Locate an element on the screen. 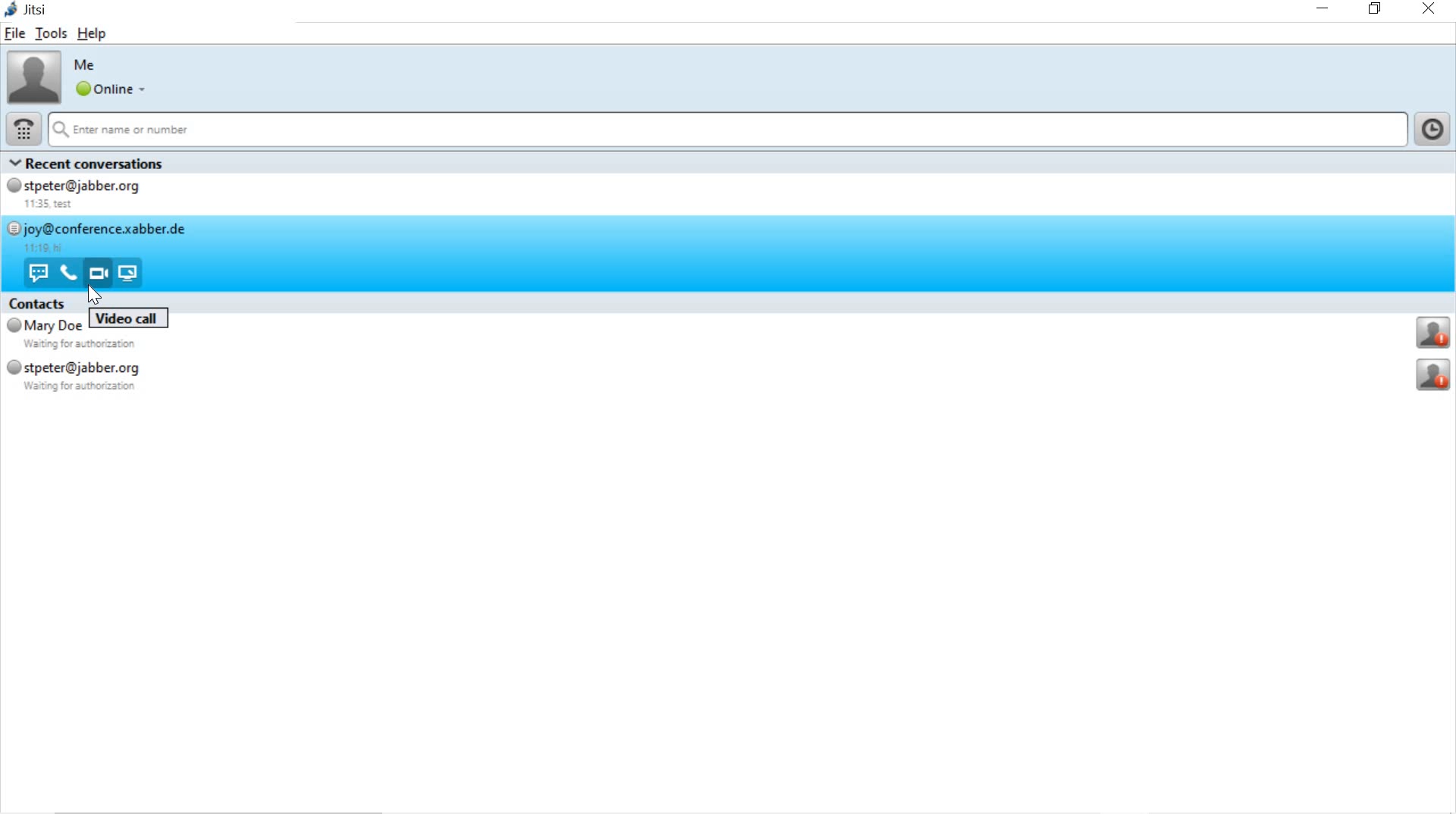 The height and width of the screenshot is (814, 1456). Recent conversations is located at coordinates (108, 163).